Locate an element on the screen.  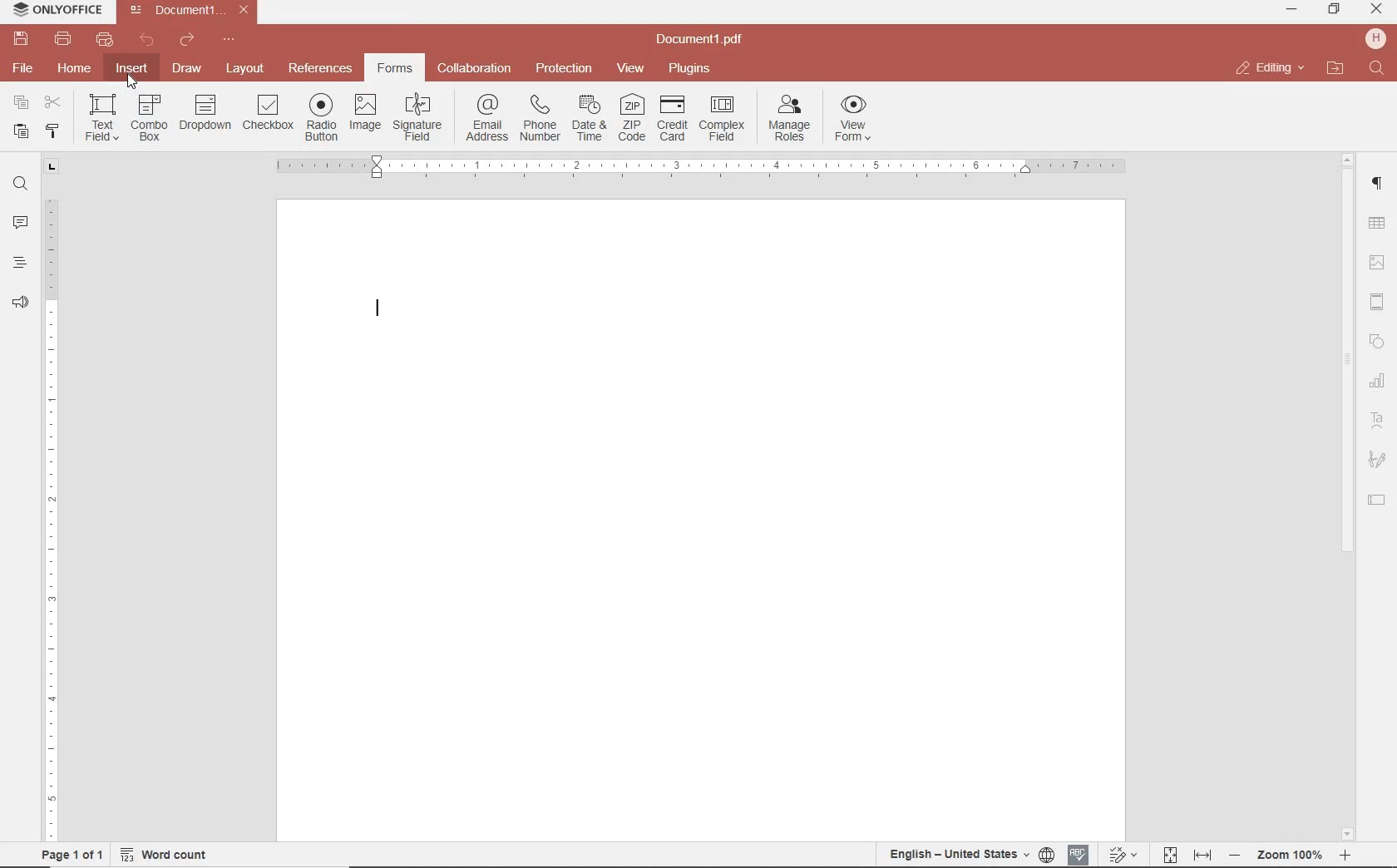
ruler is located at coordinates (52, 508).